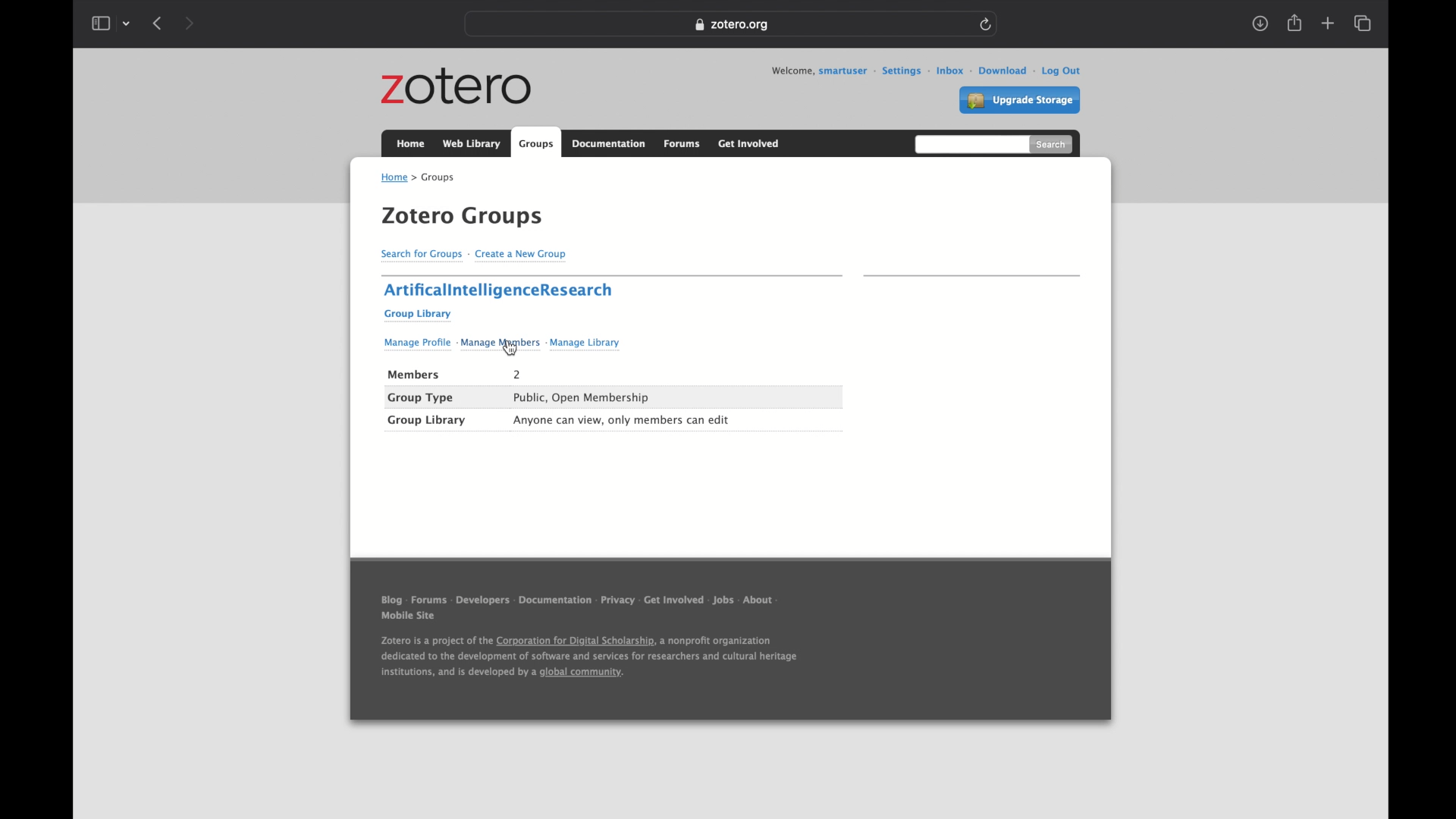 Image resolution: width=1456 pixels, height=819 pixels. Describe the element at coordinates (617, 601) in the screenshot. I see `privacy` at that location.